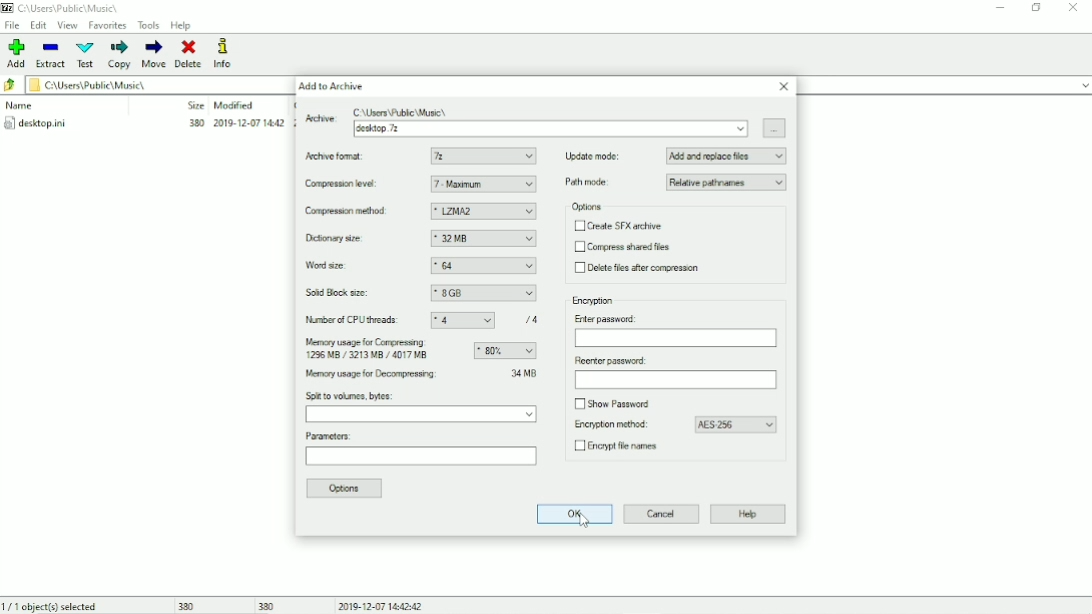 This screenshot has height=614, width=1092. I want to click on Browse, so click(775, 127).